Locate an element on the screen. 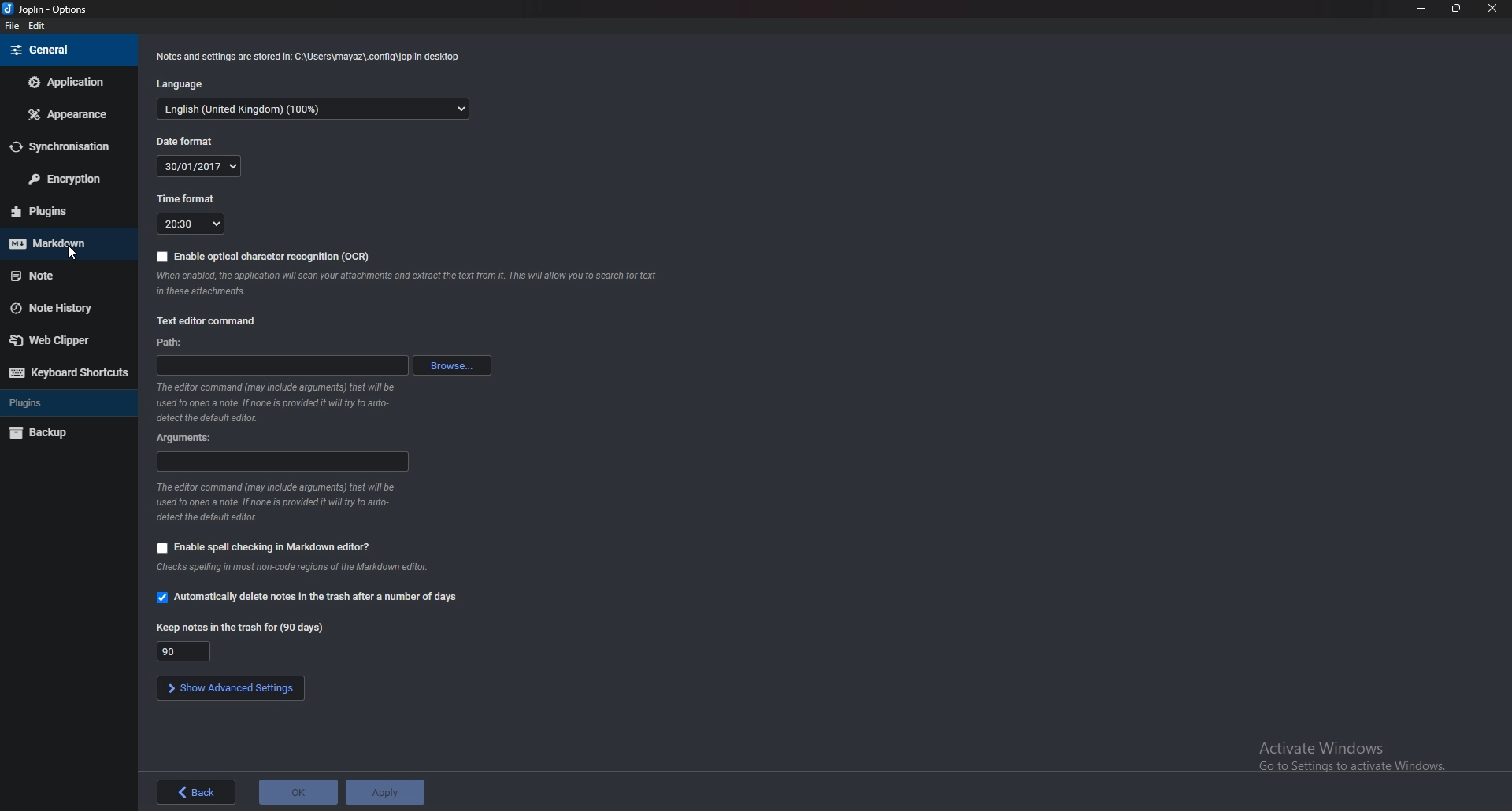 The height and width of the screenshot is (811, 1512). browse is located at coordinates (451, 367).